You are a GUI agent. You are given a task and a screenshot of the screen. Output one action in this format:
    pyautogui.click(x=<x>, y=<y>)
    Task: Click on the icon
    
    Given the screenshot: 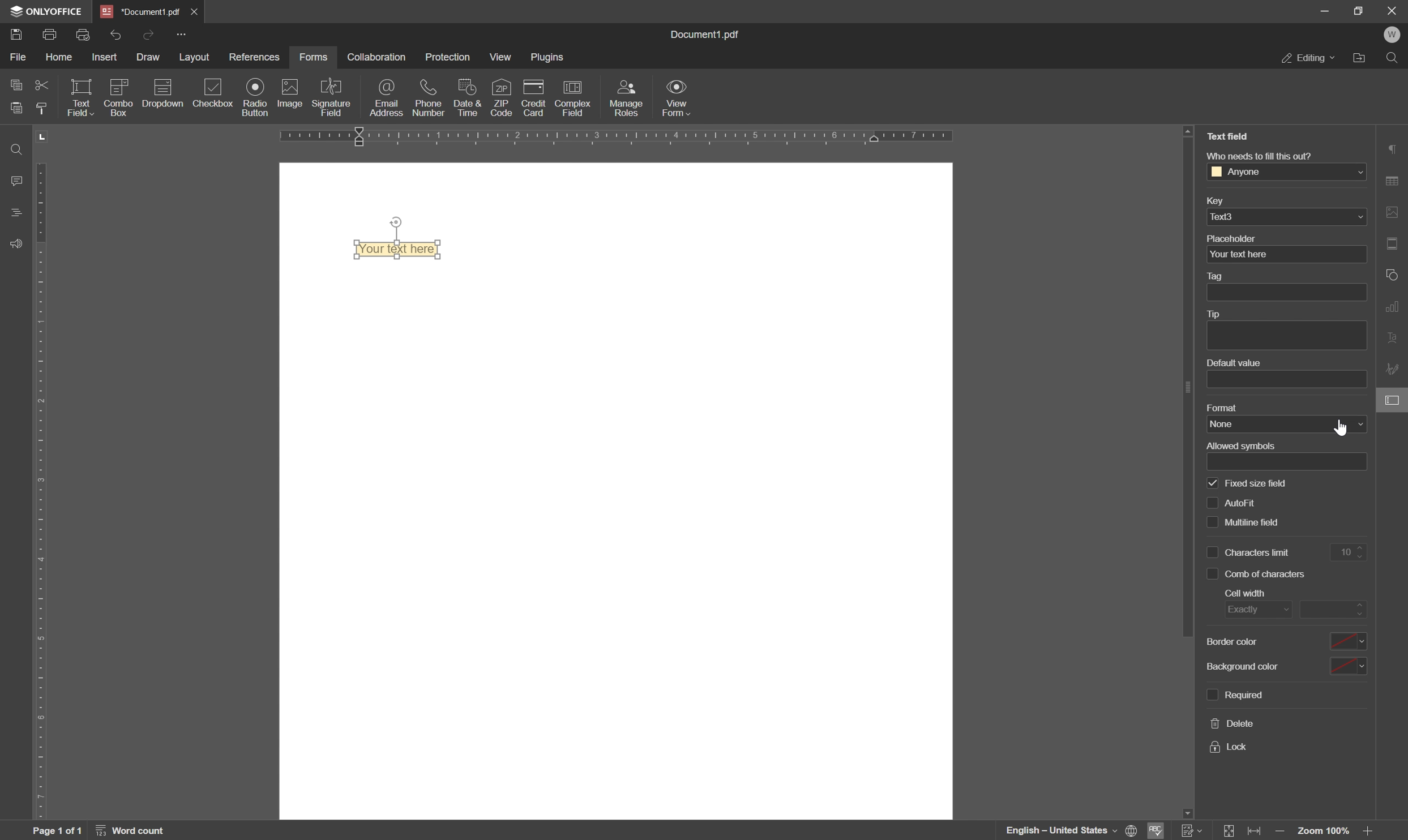 What is the action you would take?
    pyautogui.click(x=161, y=96)
    